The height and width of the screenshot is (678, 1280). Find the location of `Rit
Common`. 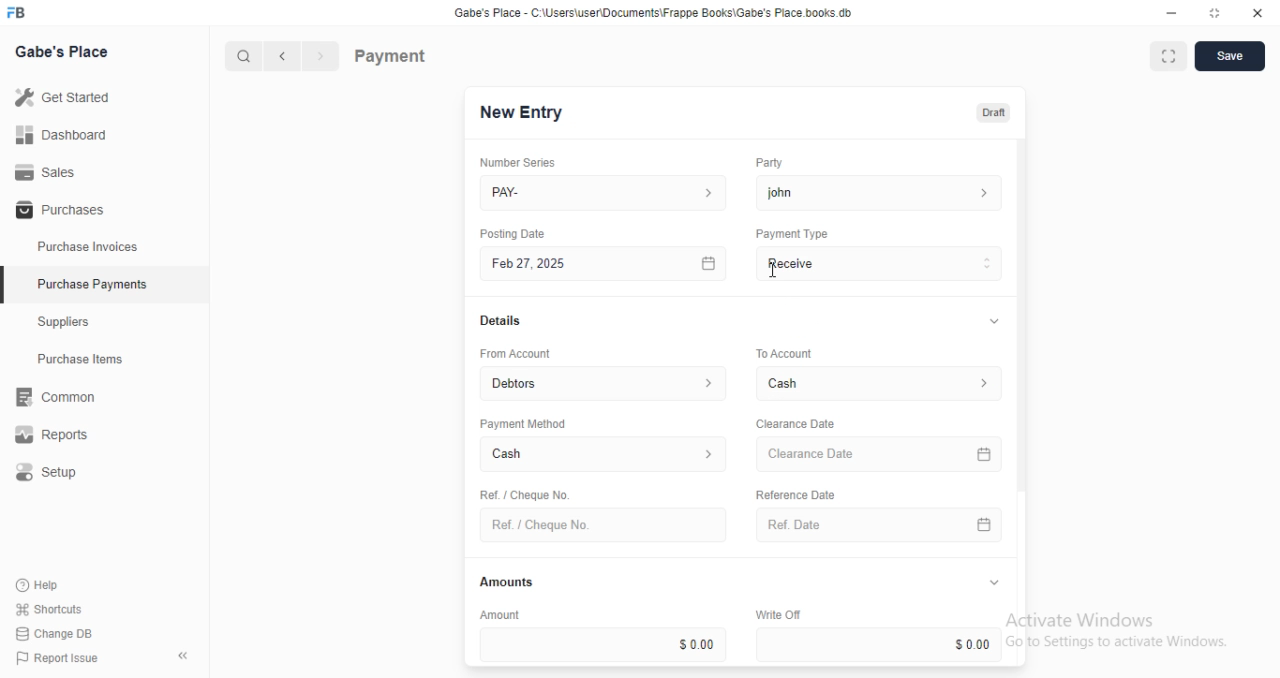

Rit
Common is located at coordinates (55, 398).